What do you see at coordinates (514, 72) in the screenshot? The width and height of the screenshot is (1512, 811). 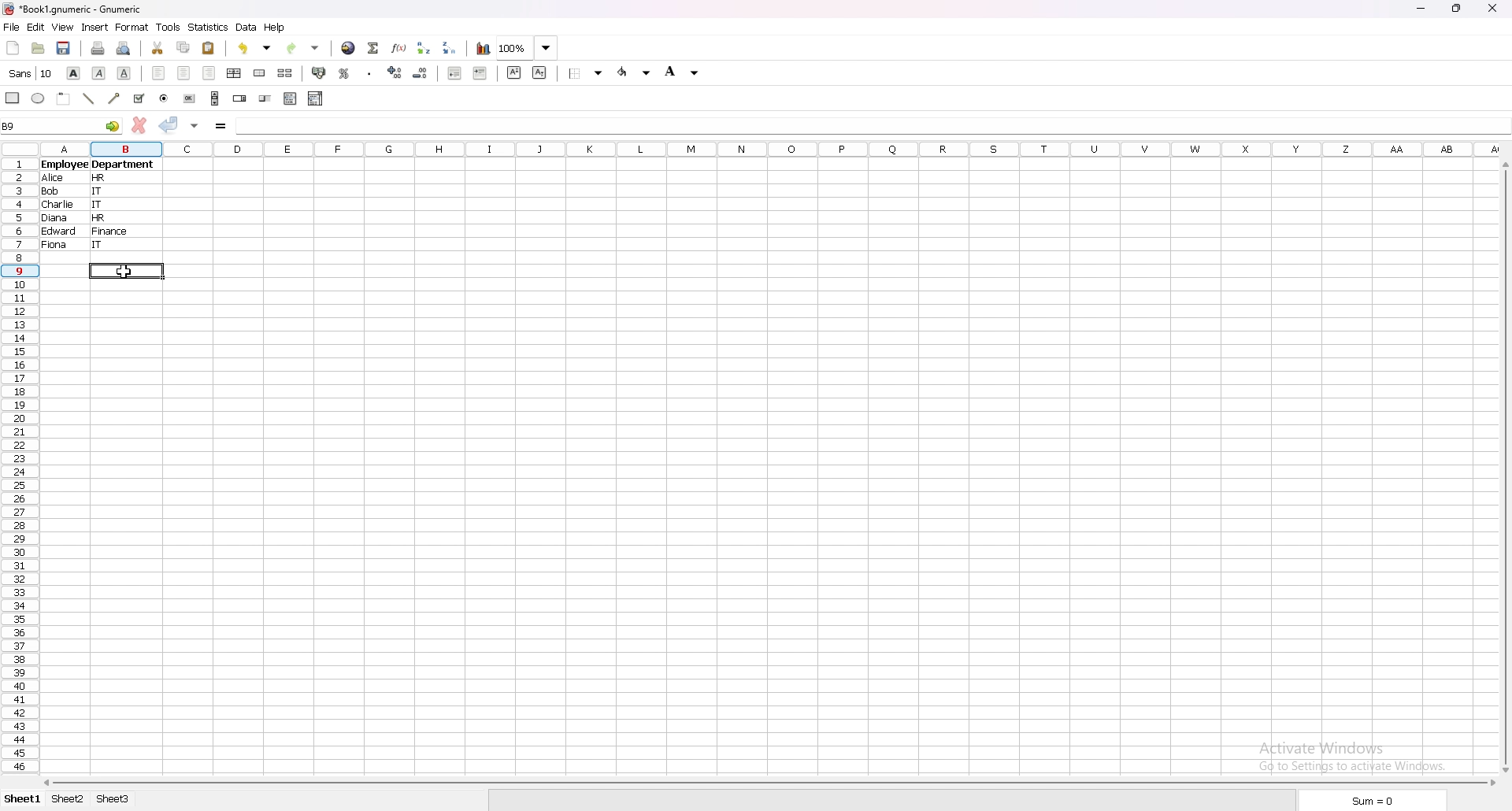 I see `superscript` at bounding box center [514, 72].